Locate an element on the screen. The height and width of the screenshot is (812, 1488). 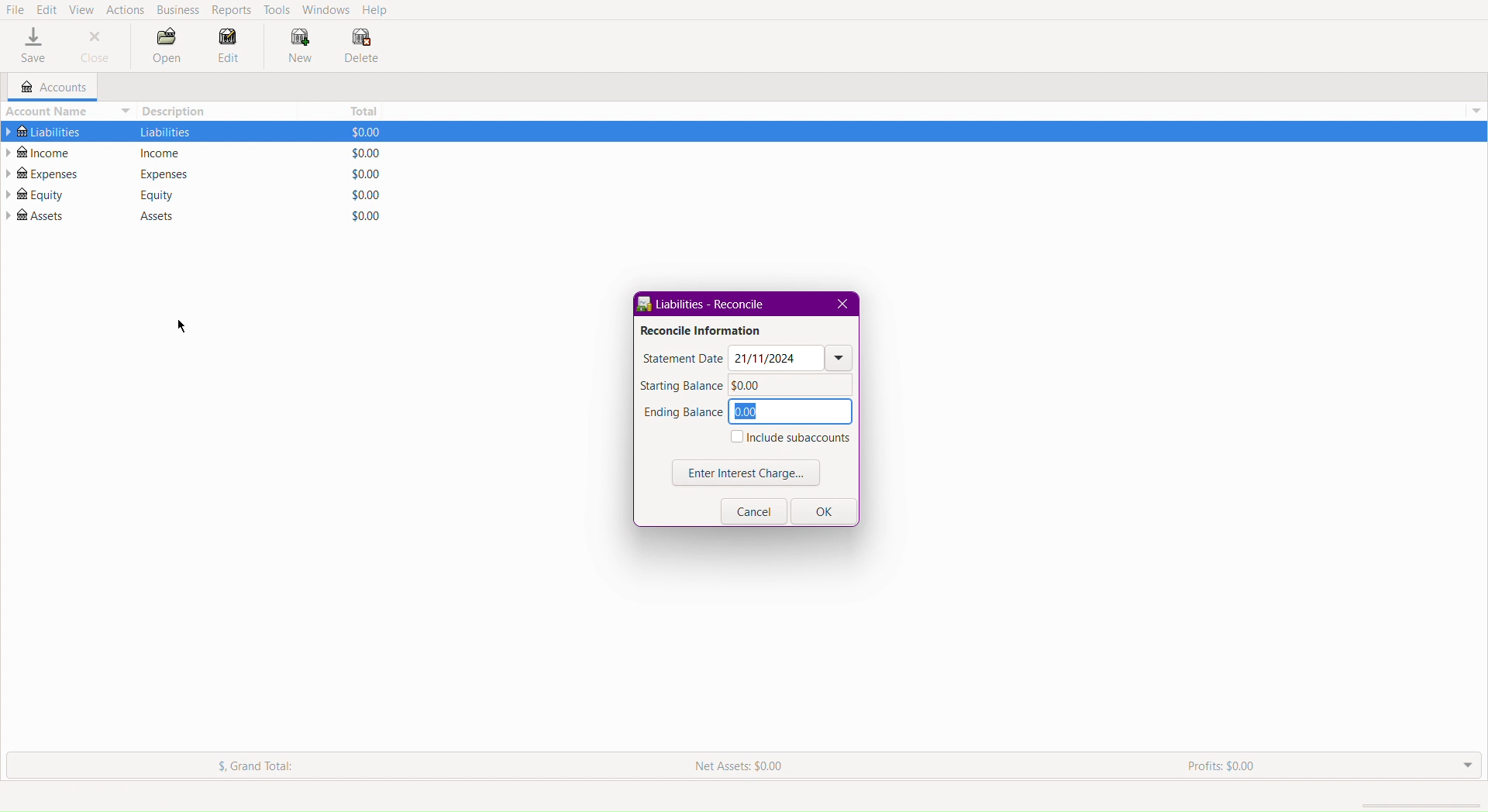
Description is located at coordinates (157, 196).